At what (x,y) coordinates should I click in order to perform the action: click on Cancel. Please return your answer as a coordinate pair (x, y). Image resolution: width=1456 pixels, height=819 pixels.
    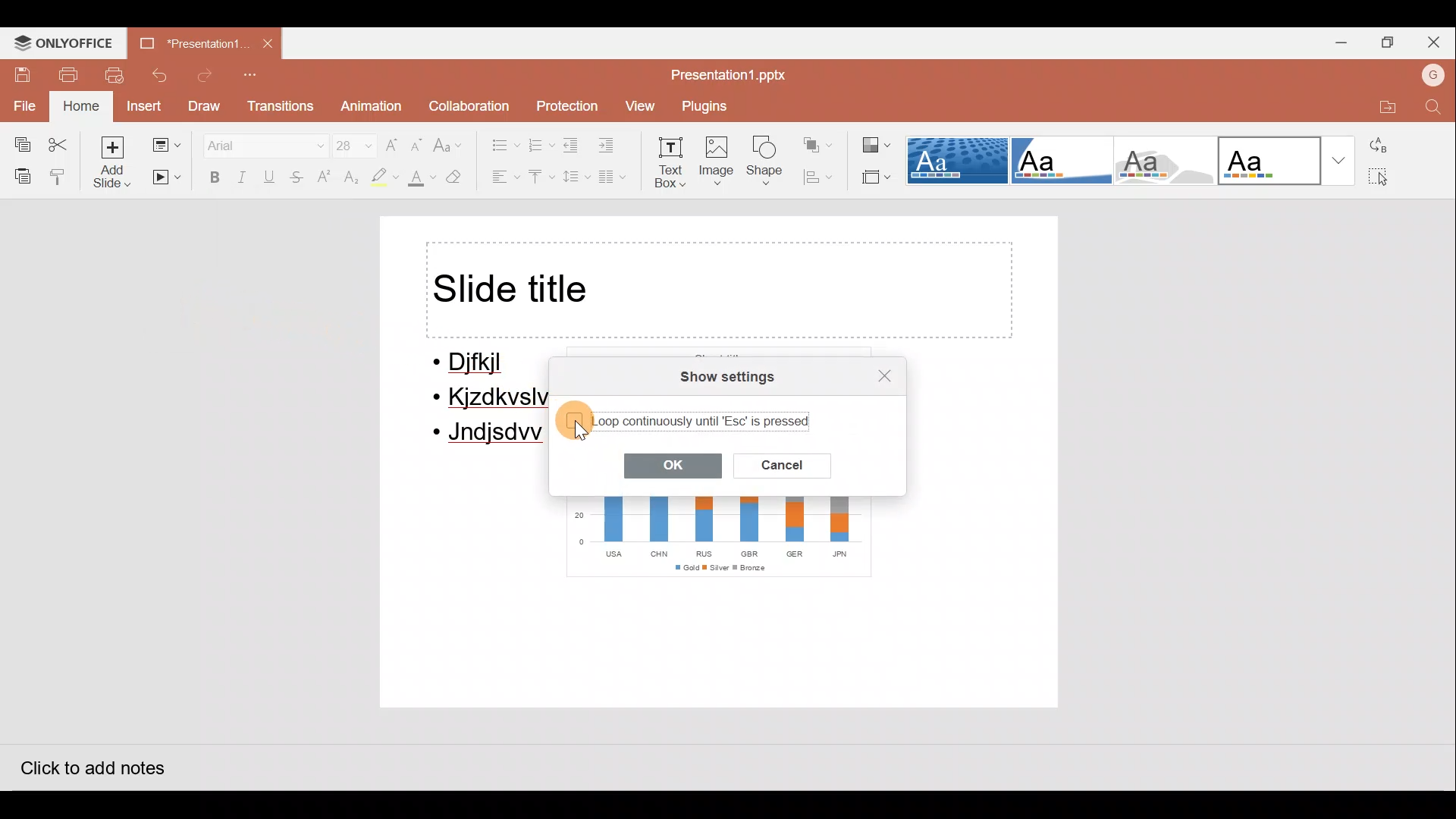
    Looking at the image, I should click on (786, 466).